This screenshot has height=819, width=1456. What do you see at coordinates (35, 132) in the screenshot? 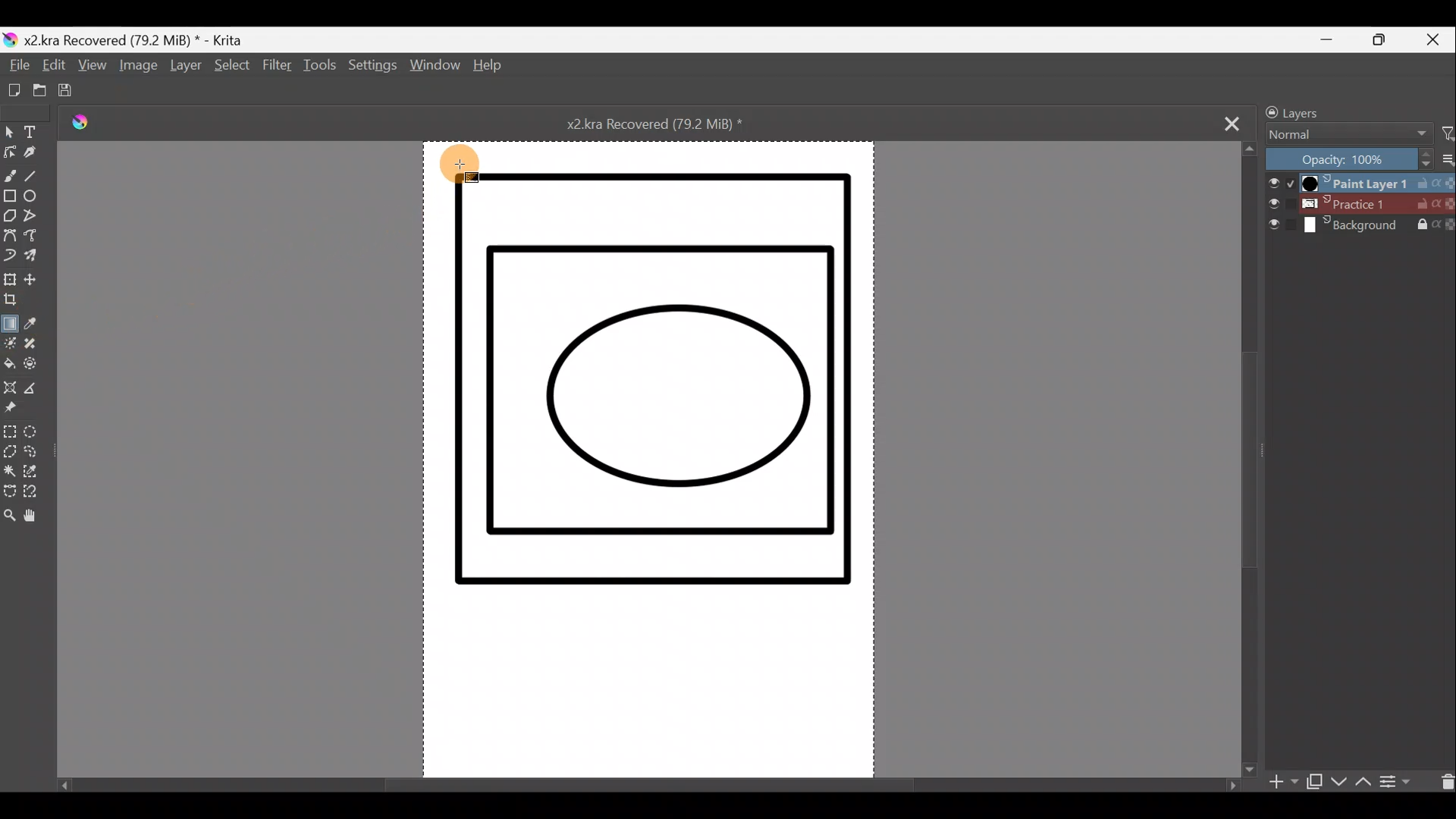
I see `Text tool` at bounding box center [35, 132].